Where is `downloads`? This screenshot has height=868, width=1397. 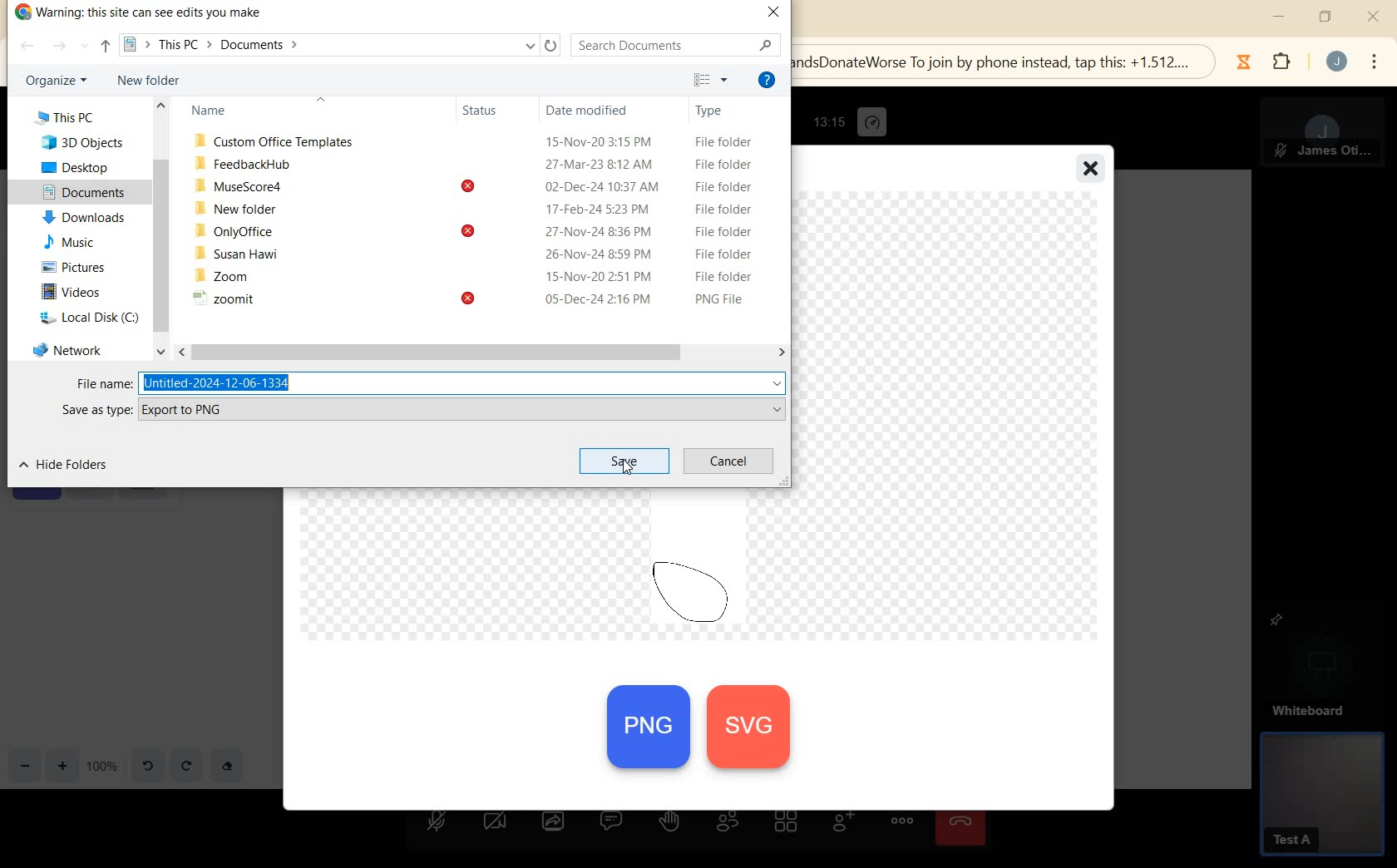 downloads is located at coordinates (88, 218).